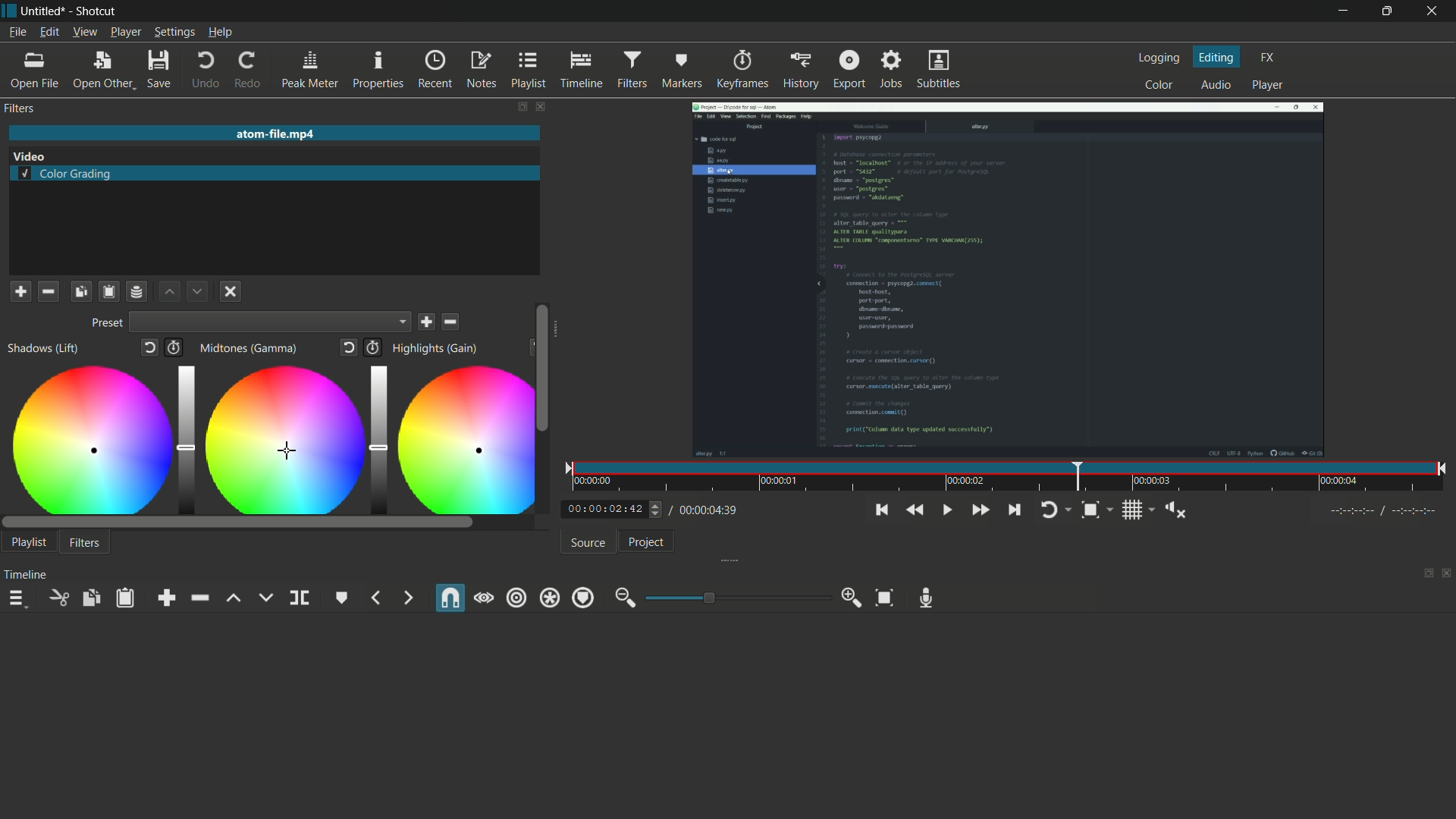  Describe the element at coordinates (199, 598) in the screenshot. I see `ripple delete` at that location.